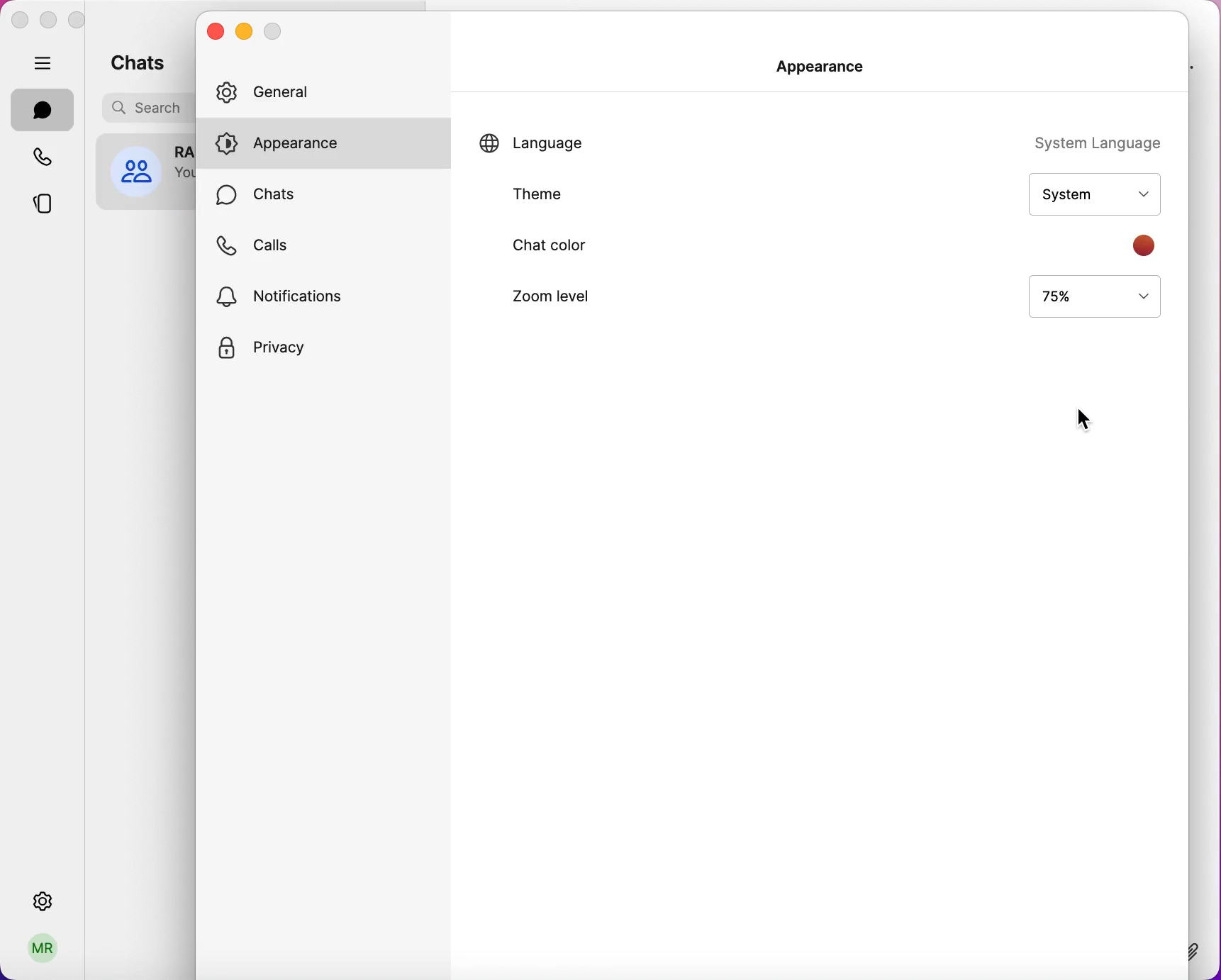 The width and height of the screenshot is (1221, 980). Describe the element at coordinates (1075, 141) in the screenshot. I see `system language` at that location.